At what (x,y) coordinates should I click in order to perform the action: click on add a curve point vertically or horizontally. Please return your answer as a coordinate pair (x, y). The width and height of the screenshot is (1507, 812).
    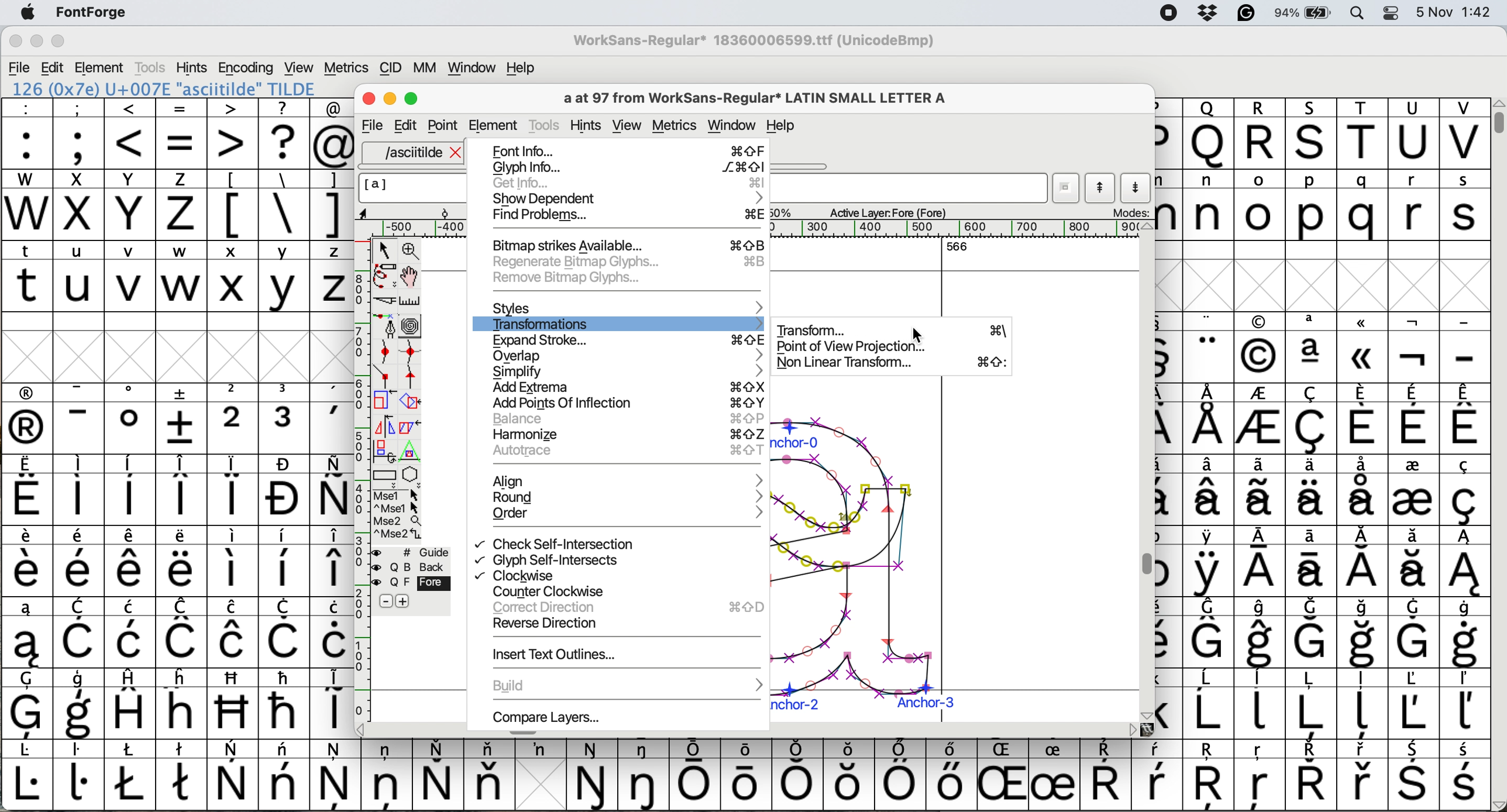
    Looking at the image, I should click on (414, 352).